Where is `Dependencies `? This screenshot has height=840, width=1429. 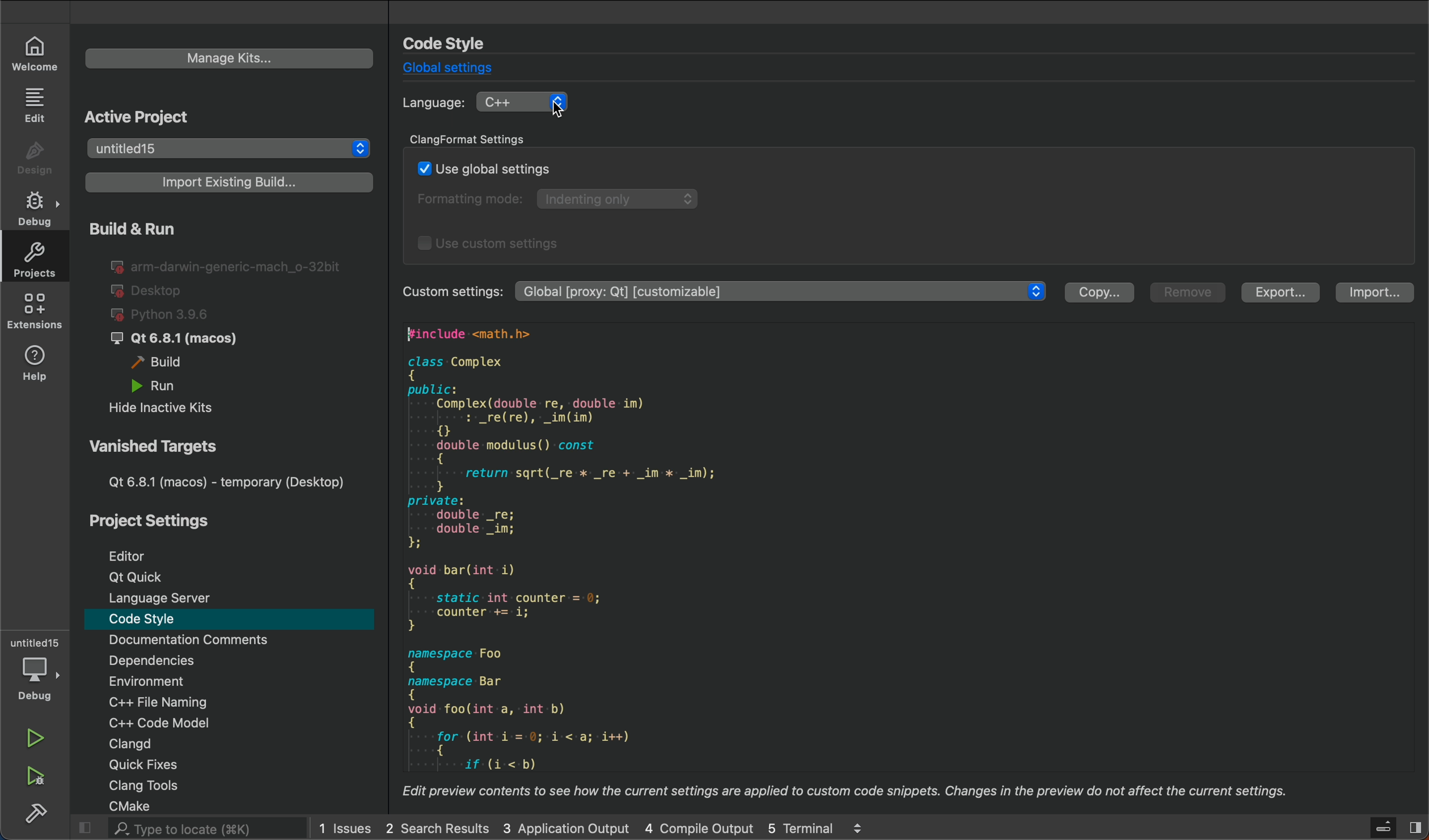 Dependencies  is located at coordinates (176, 661).